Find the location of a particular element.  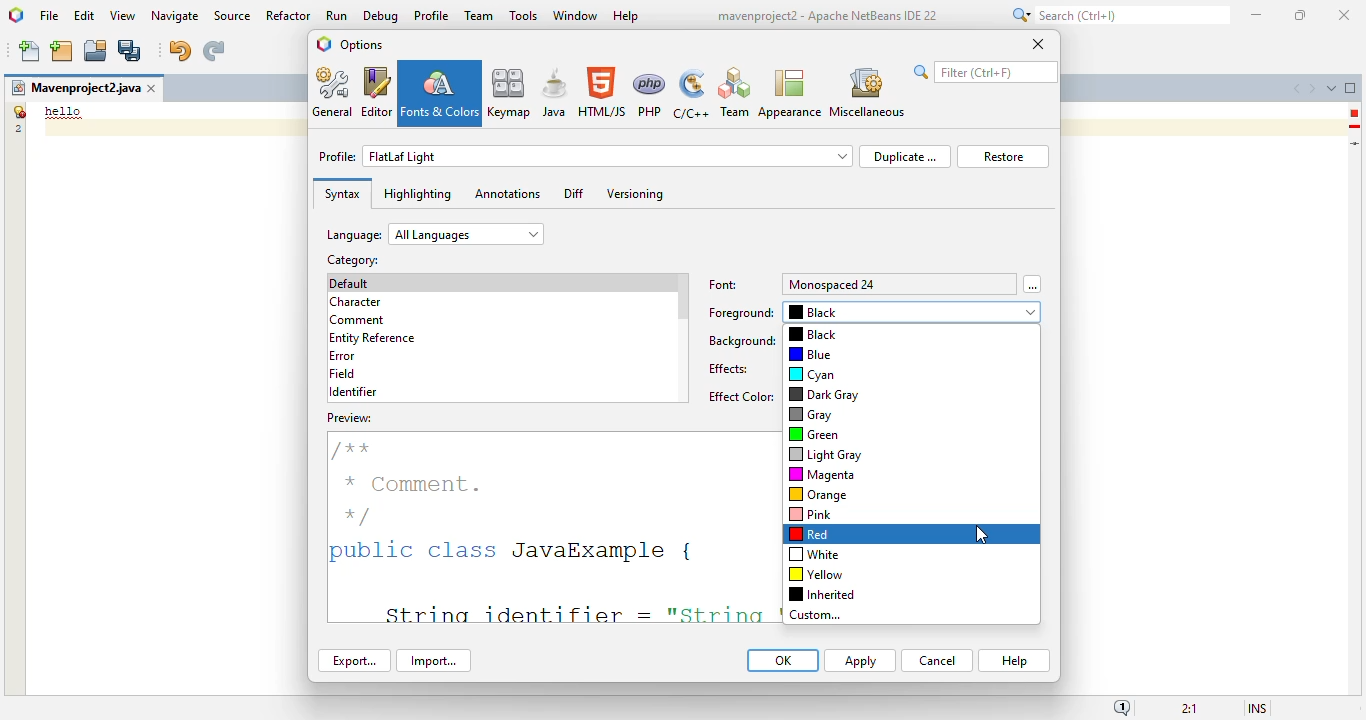

fonts & colors is located at coordinates (440, 93).